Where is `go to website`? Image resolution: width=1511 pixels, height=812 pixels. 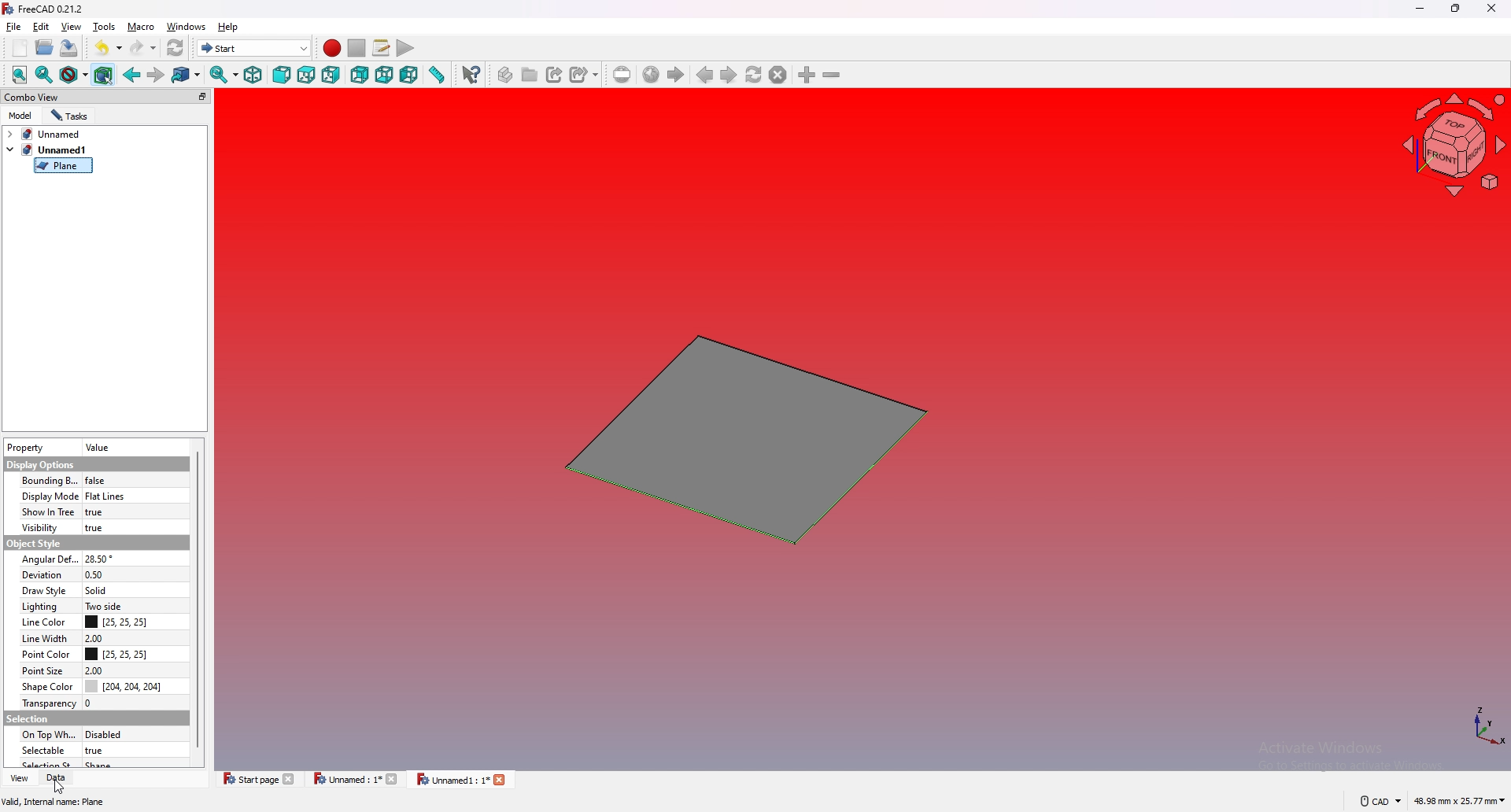
go to website is located at coordinates (651, 76).